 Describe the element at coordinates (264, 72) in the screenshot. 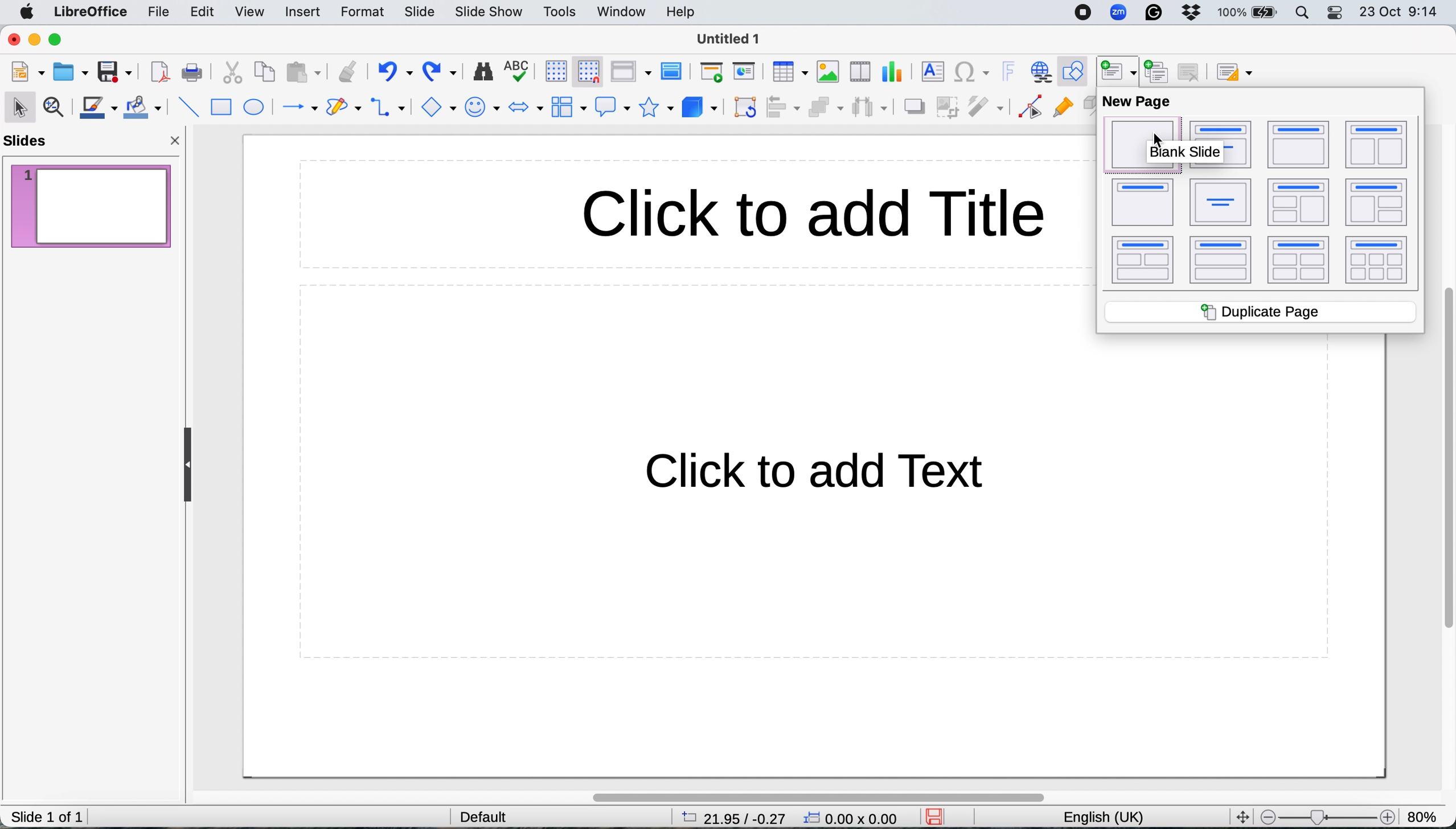

I see `copy` at that location.